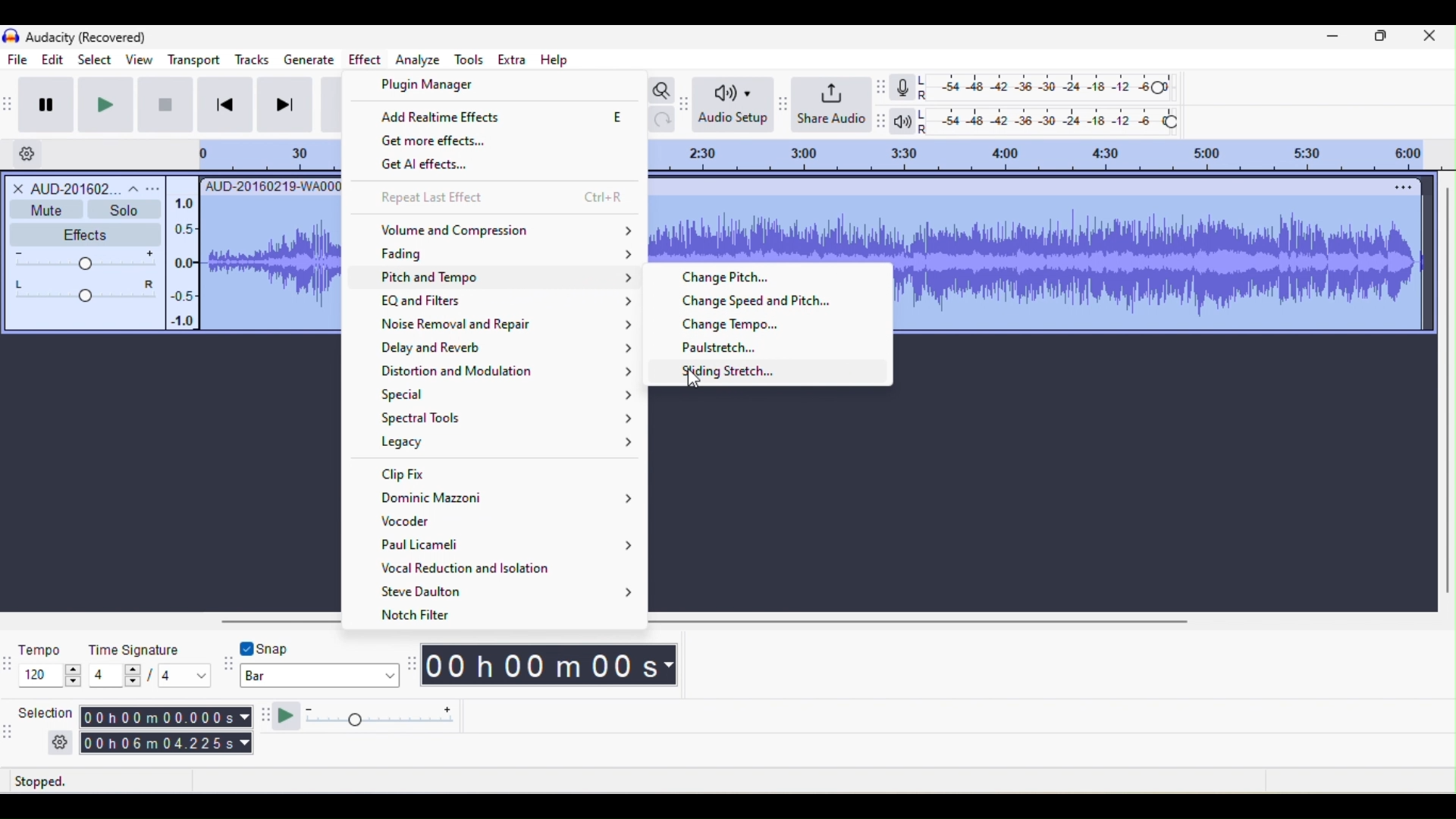 Image resolution: width=1456 pixels, height=819 pixels. What do you see at coordinates (504, 197) in the screenshot?
I see `repeat last effect` at bounding box center [504, 197].